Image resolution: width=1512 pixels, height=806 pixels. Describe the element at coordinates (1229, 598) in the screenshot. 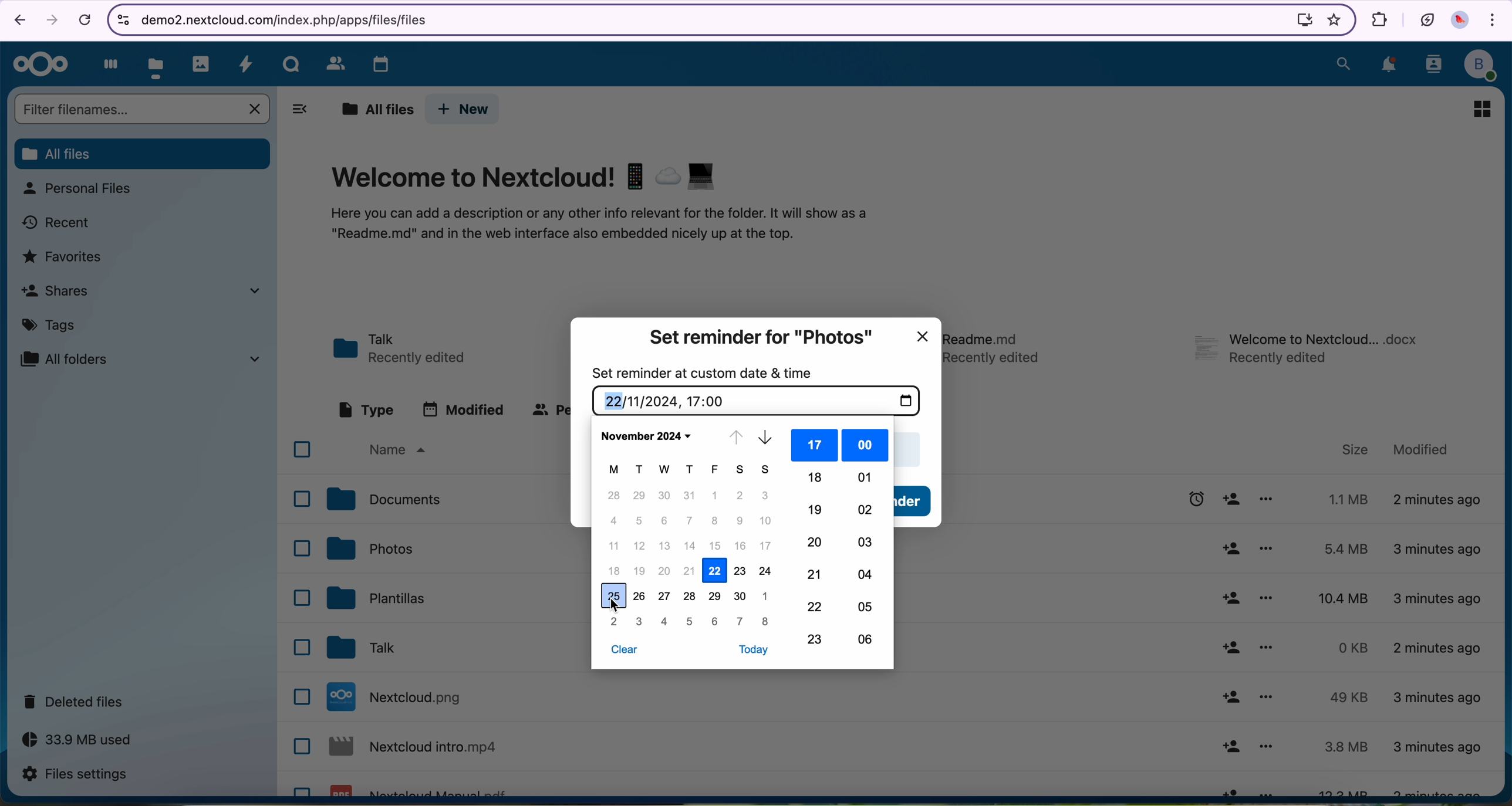

I see `share` at that location.